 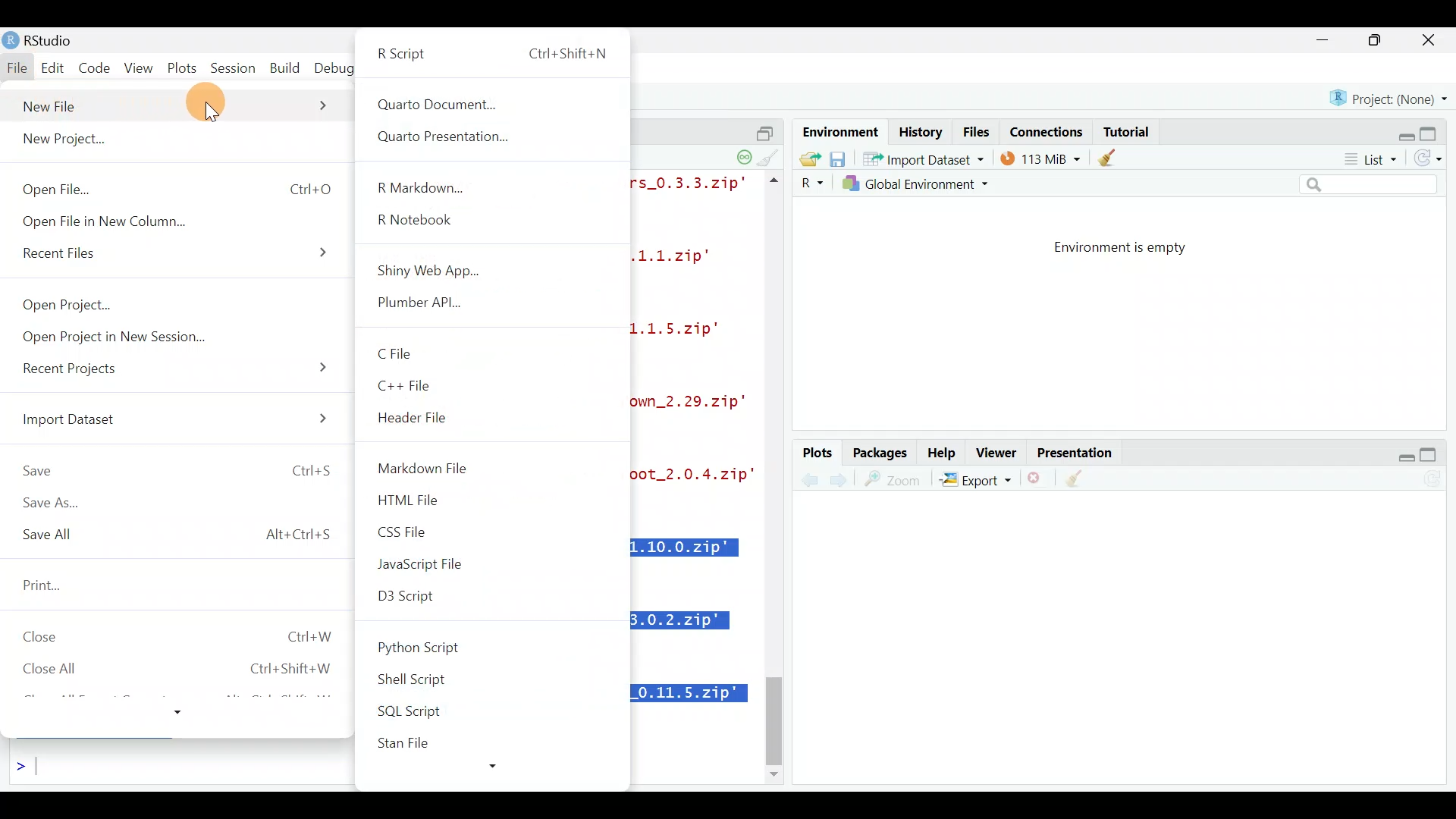 What do you see at coordinates (975, 482) in the screenshot?
I see `Export` at bounding box center [975, 482].